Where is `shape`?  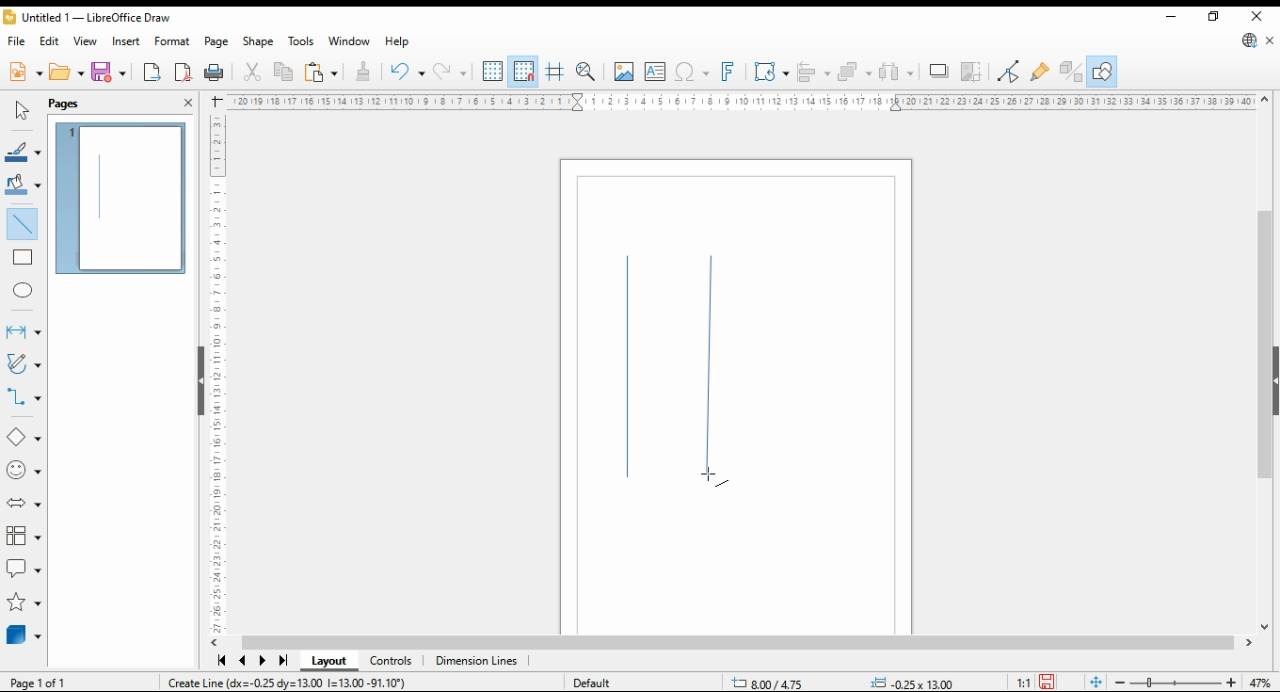
shape is located at coordinates (258, 42).